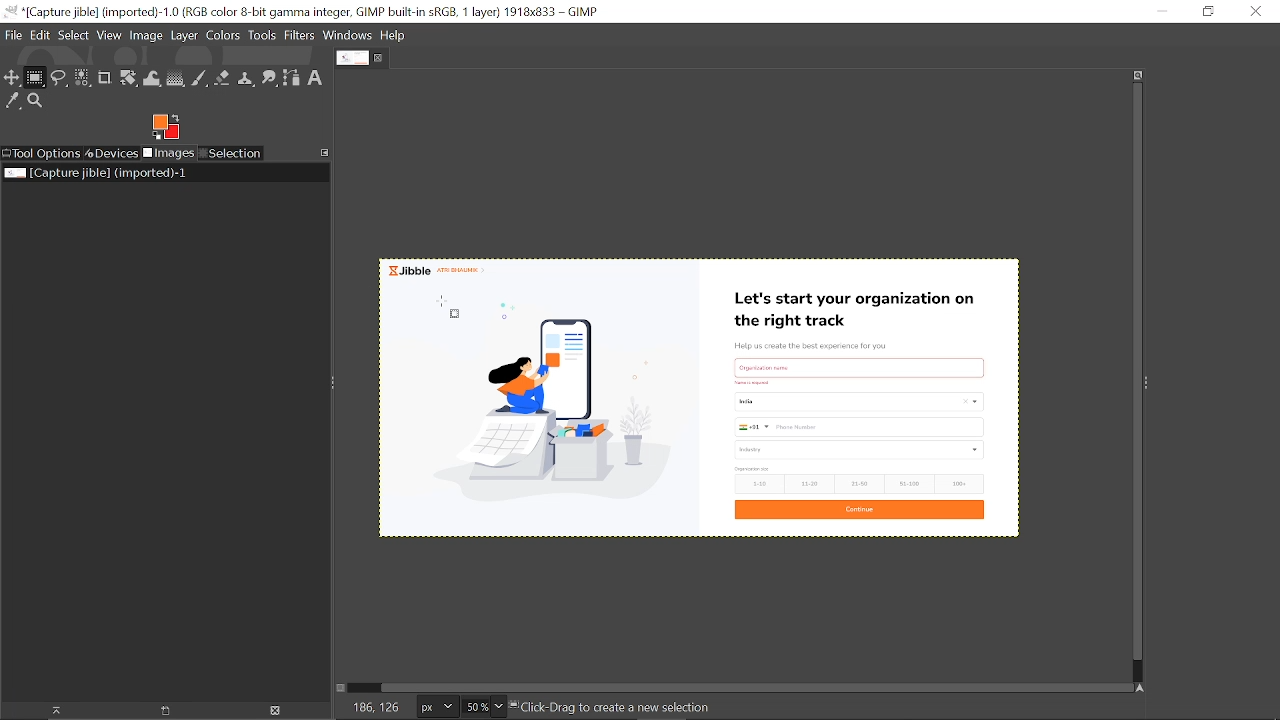  I want to click on 51-100, so click(907, 483).